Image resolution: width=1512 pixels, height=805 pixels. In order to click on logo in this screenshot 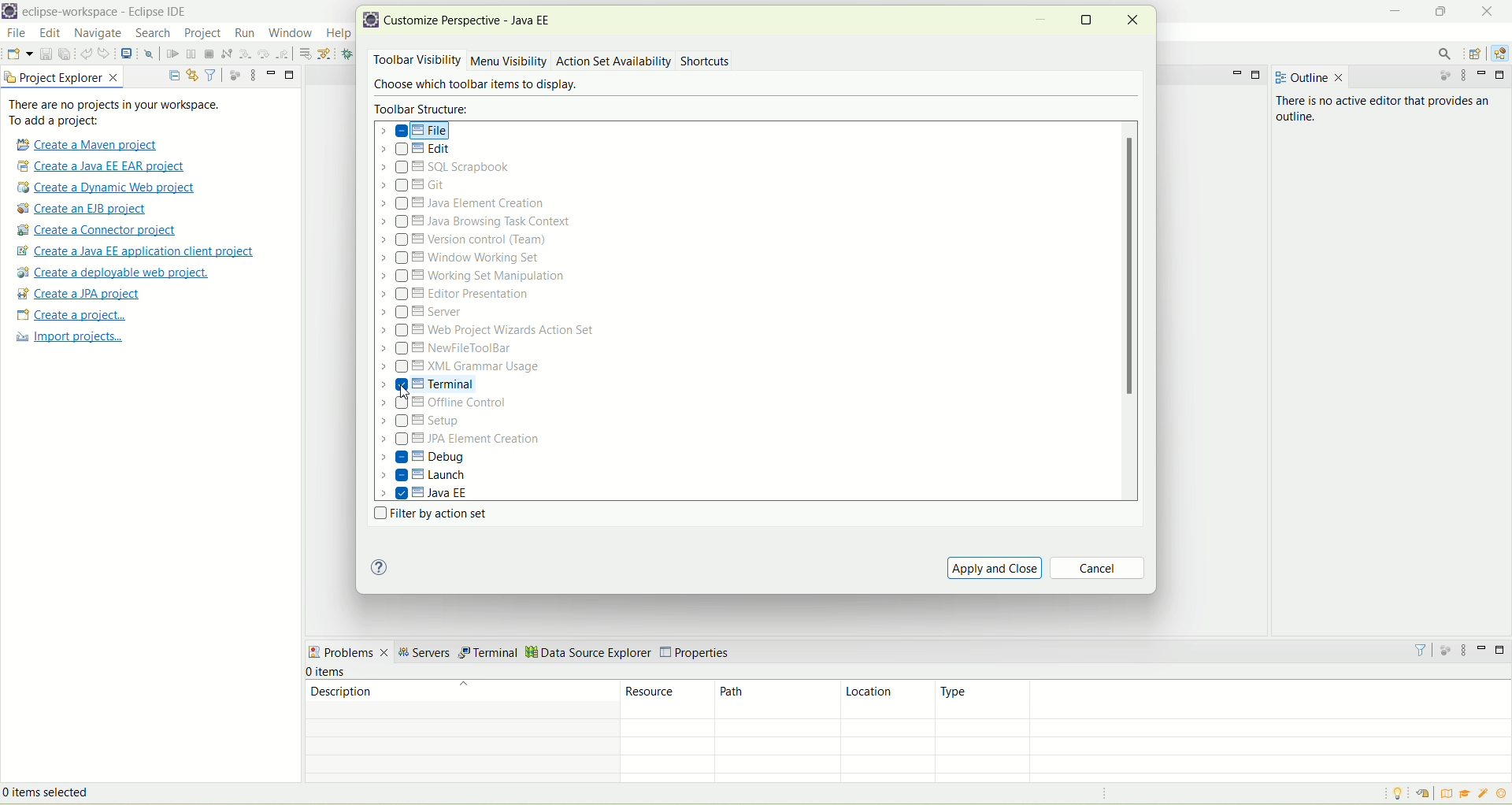, I will do `click(372, 22)`.